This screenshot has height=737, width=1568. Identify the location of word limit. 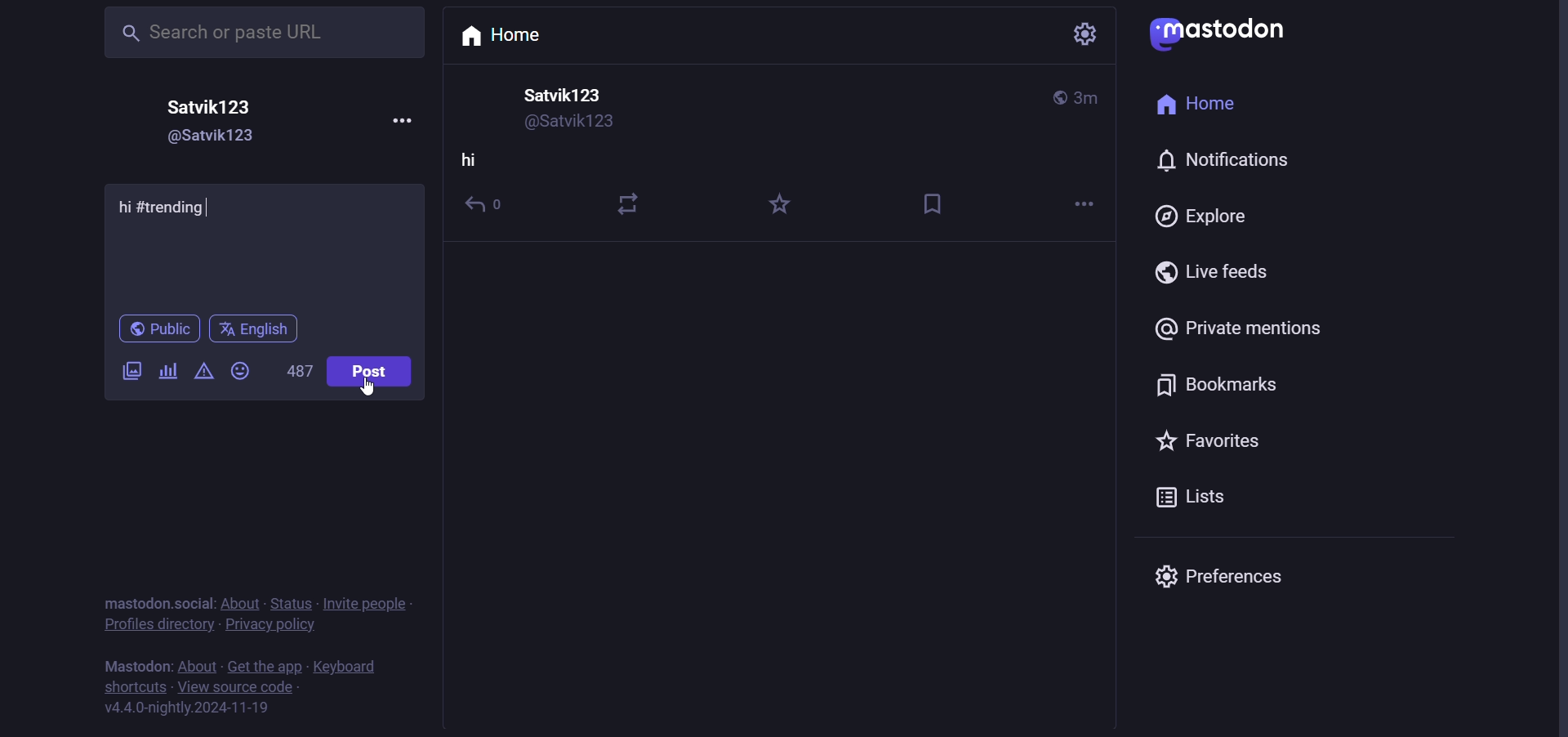
(299, 370).